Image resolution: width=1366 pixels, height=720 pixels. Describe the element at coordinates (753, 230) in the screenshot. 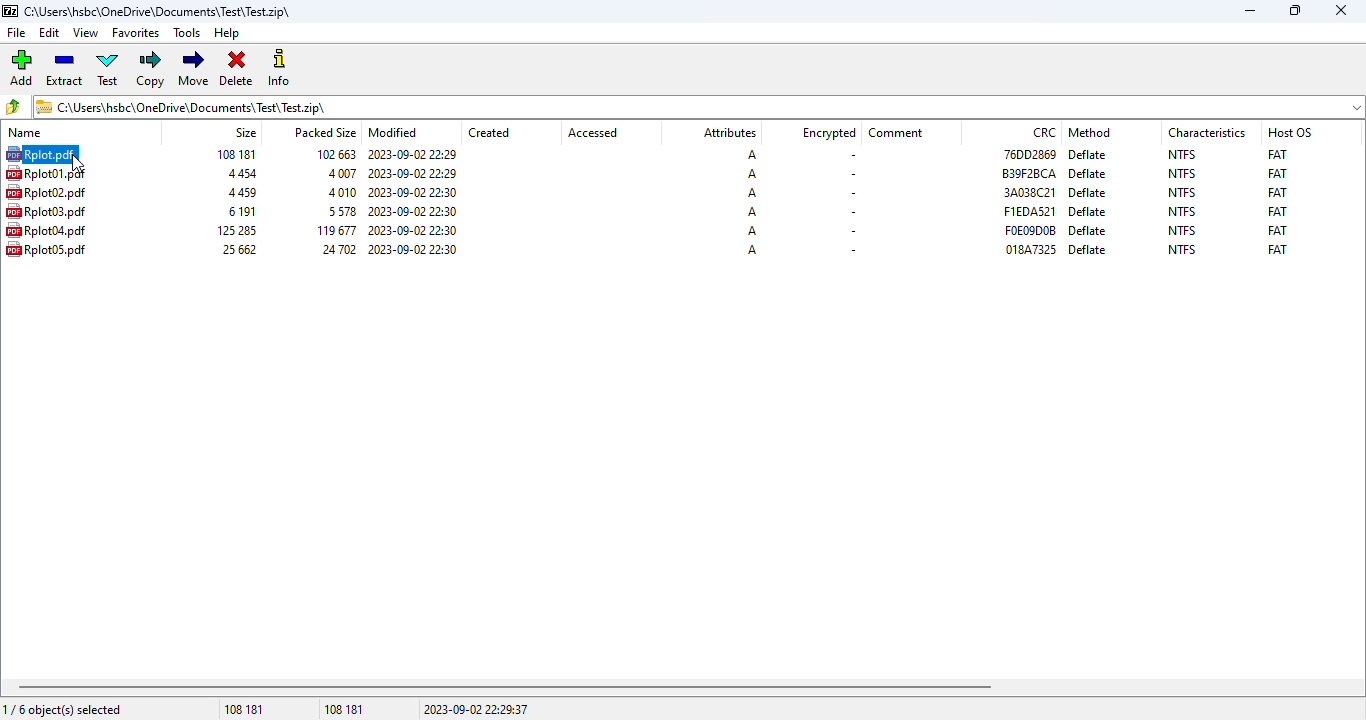

I see `A` at that location.